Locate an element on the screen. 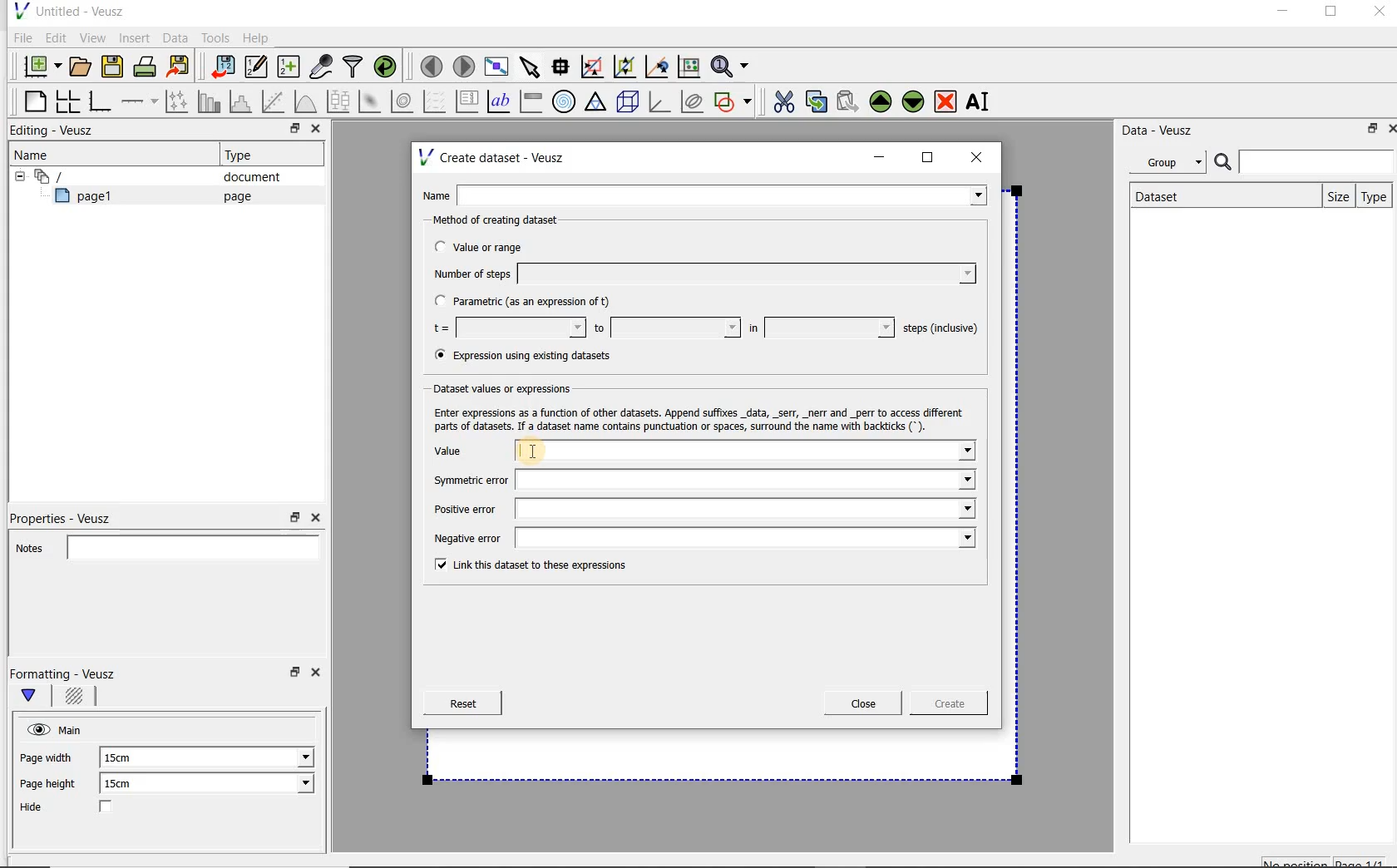 The height and width of the screenshot is (868, 1397). text label is located at coordinates (501, 101).